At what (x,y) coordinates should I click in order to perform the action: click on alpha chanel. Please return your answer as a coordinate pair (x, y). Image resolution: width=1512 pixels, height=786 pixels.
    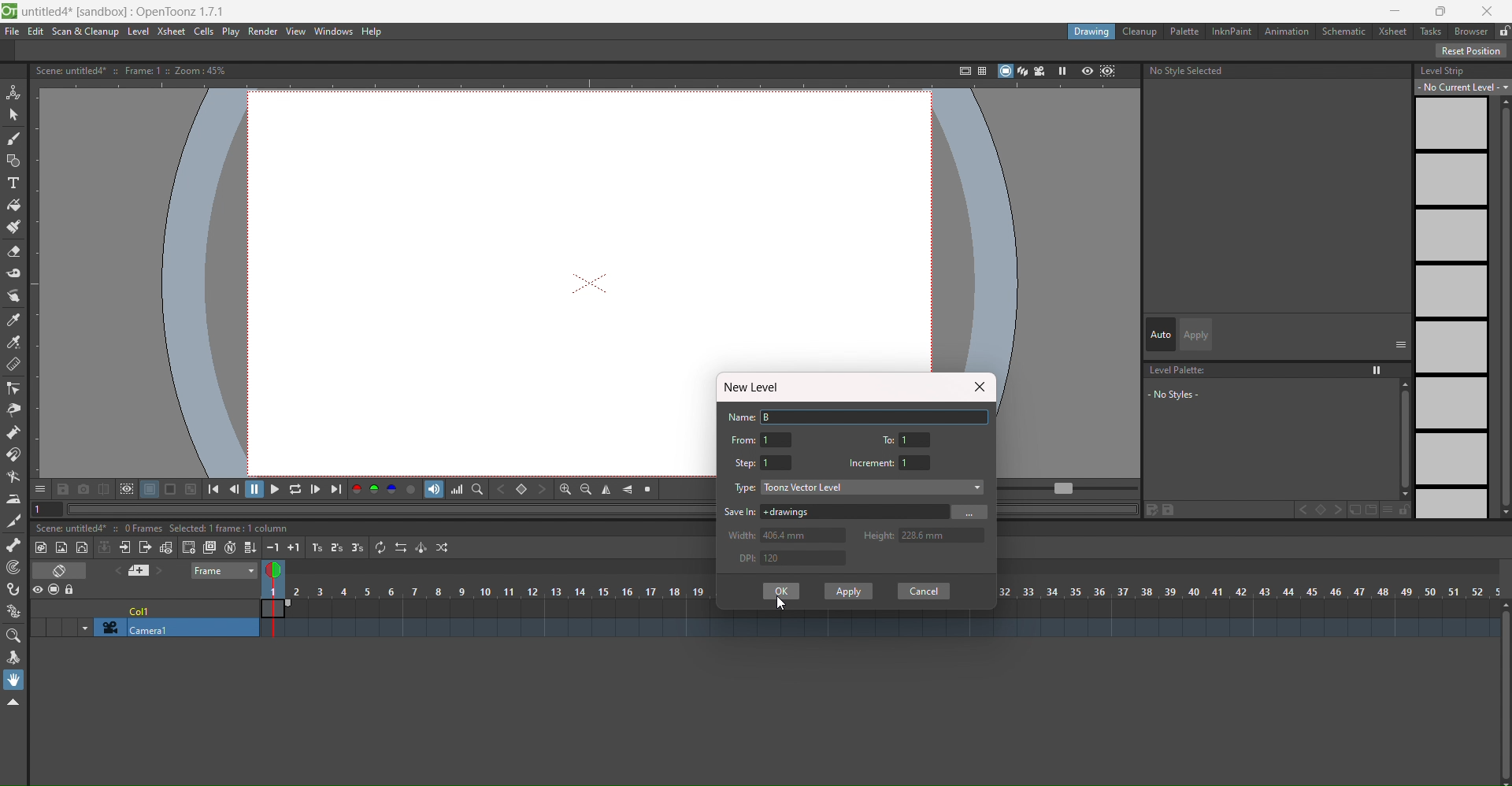
    Looking at the image, I should click on (412, 488).